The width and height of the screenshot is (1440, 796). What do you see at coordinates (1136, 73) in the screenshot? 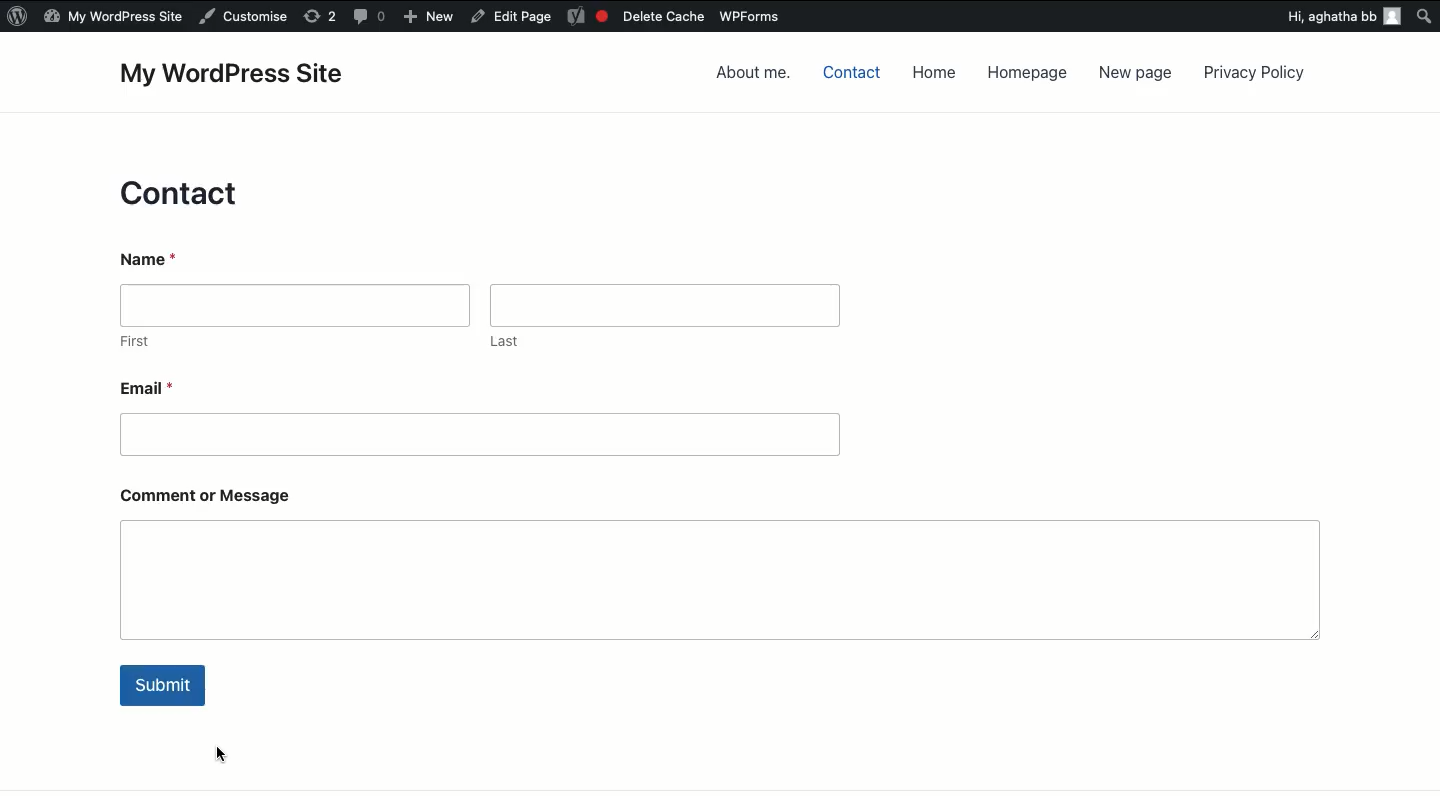
I see `New page` at bounding box center [1136, 73].